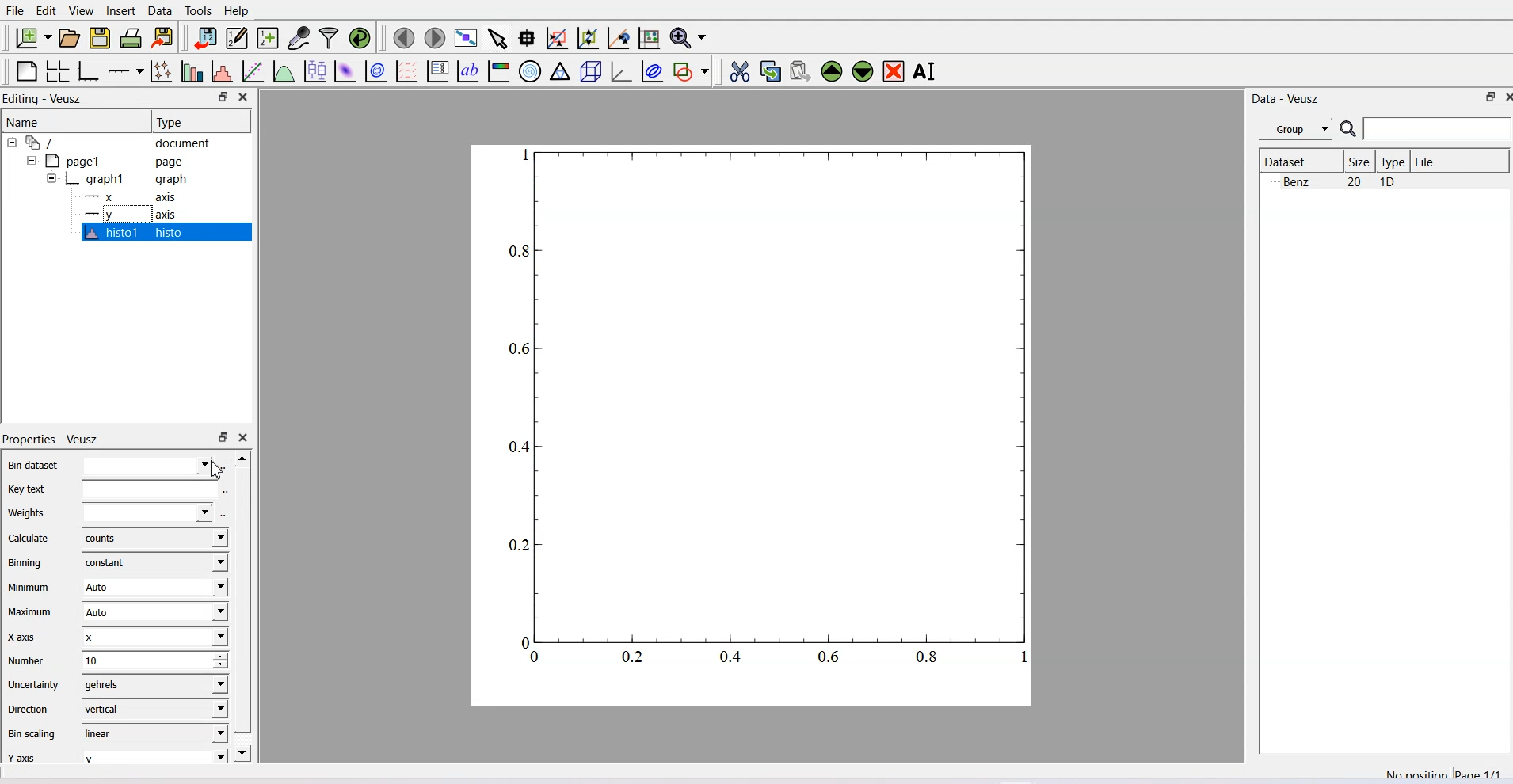  What do you see at coordinates (1426, 128) in the screenshot?
I see `Search Bar` at bounding box center [1426, 128].